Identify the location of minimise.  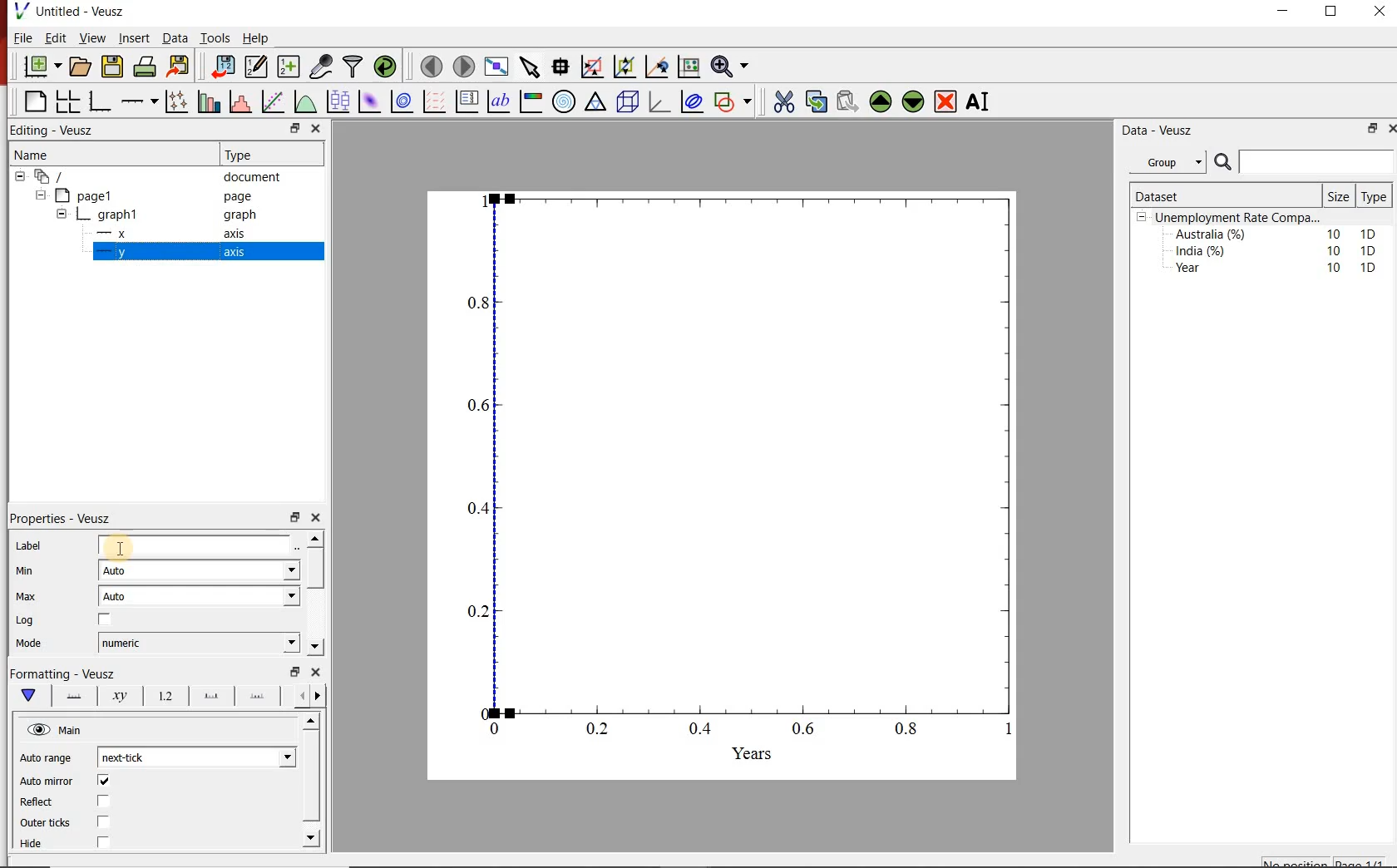
(297, 128).